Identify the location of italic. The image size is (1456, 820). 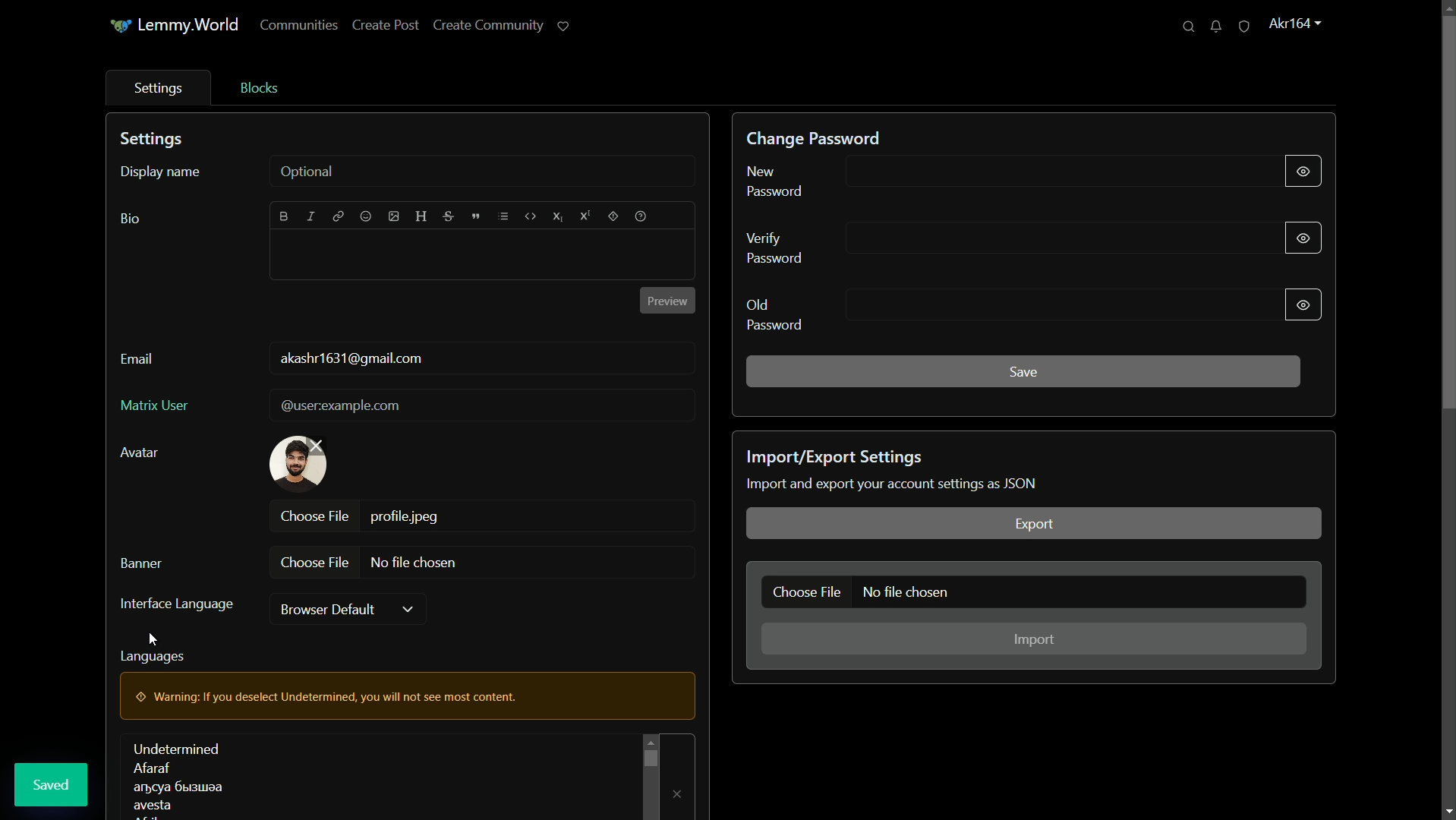
(313, 216).